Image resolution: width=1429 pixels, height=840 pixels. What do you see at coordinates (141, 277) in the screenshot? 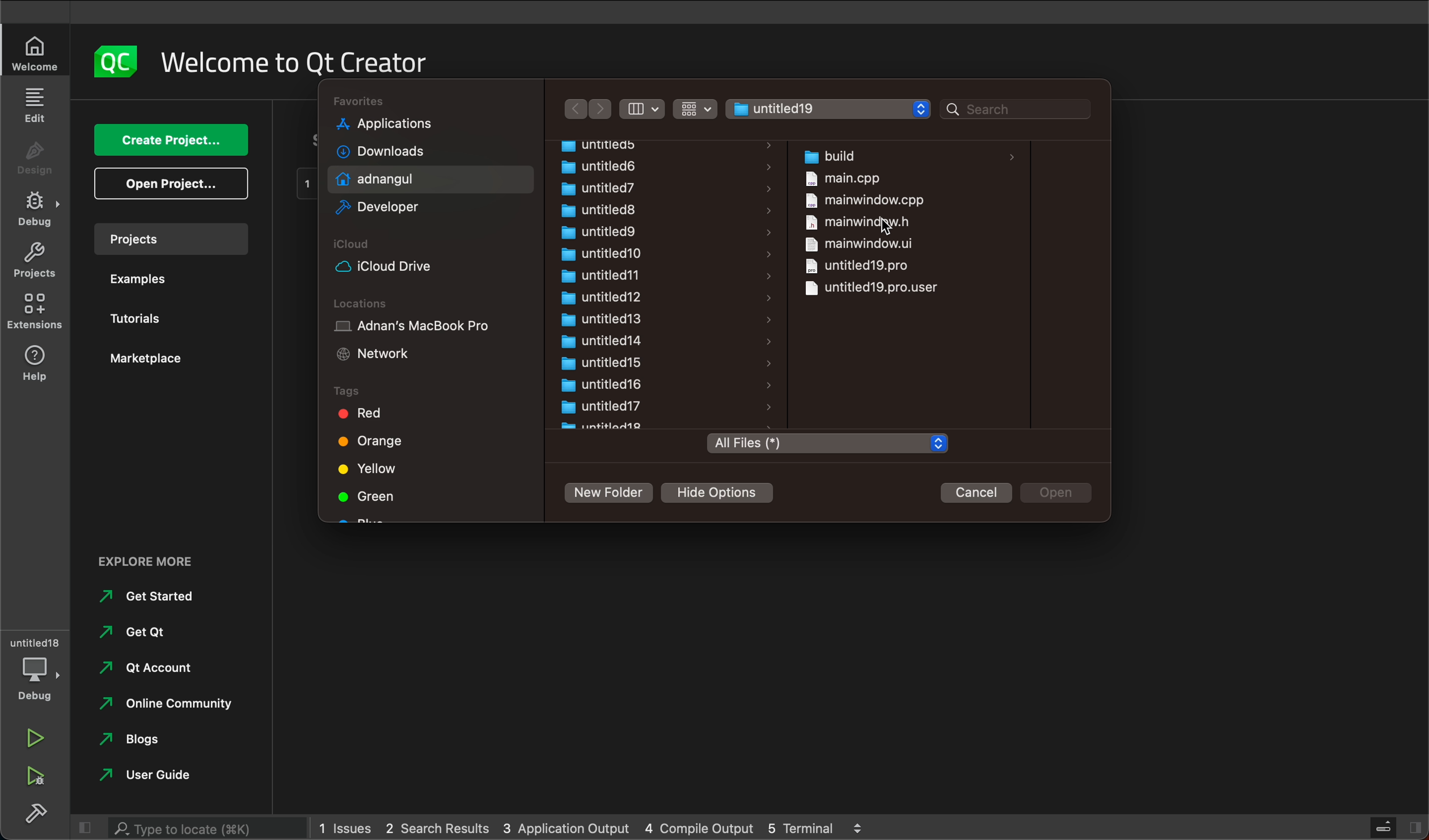
I see `examples` at bounding box center [141, 277].